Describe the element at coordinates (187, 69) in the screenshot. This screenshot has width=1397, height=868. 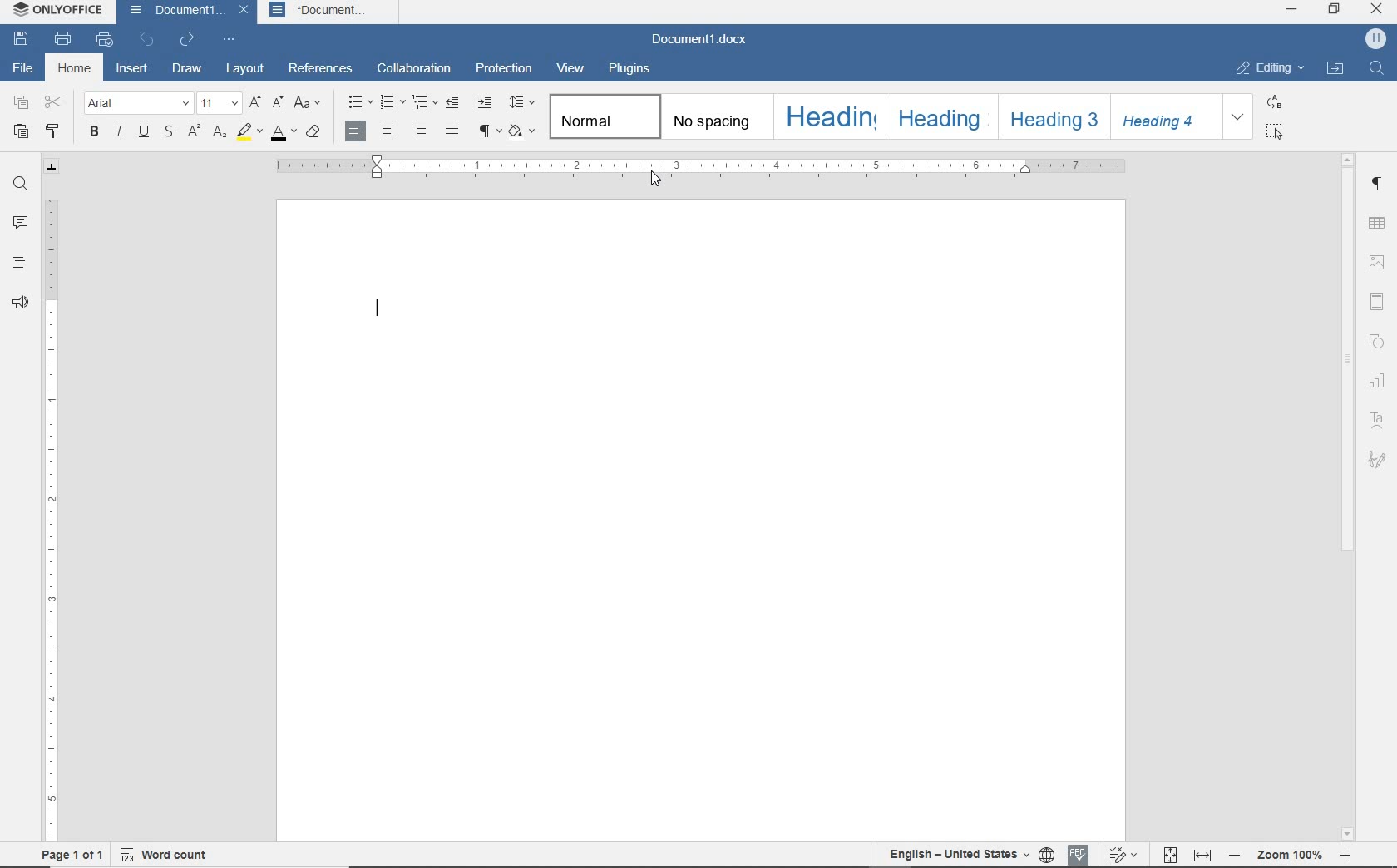
I see `DRAW` at that location.